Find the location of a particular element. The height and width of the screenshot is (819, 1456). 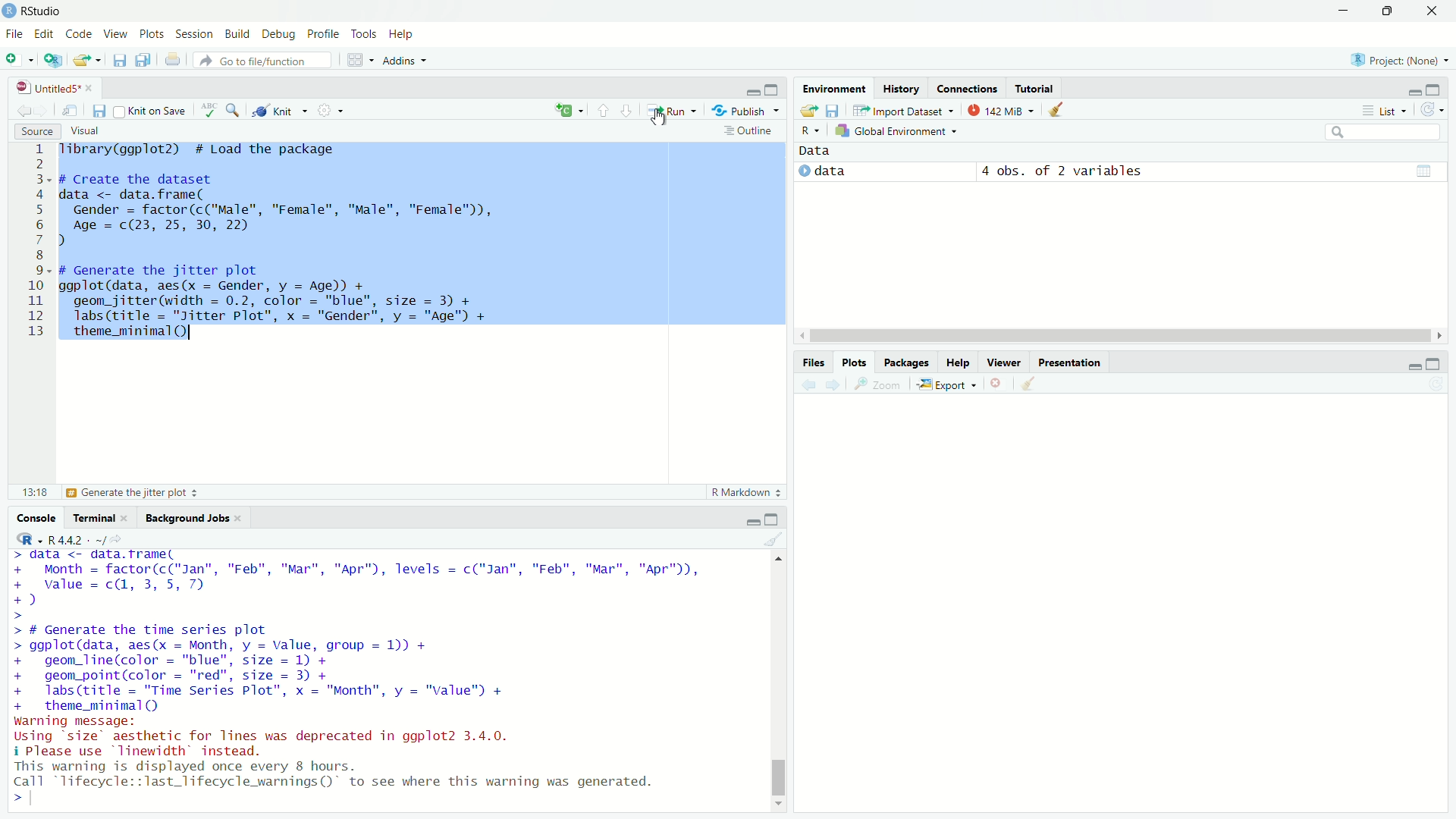

minimize is located at coordinates (751, 520).